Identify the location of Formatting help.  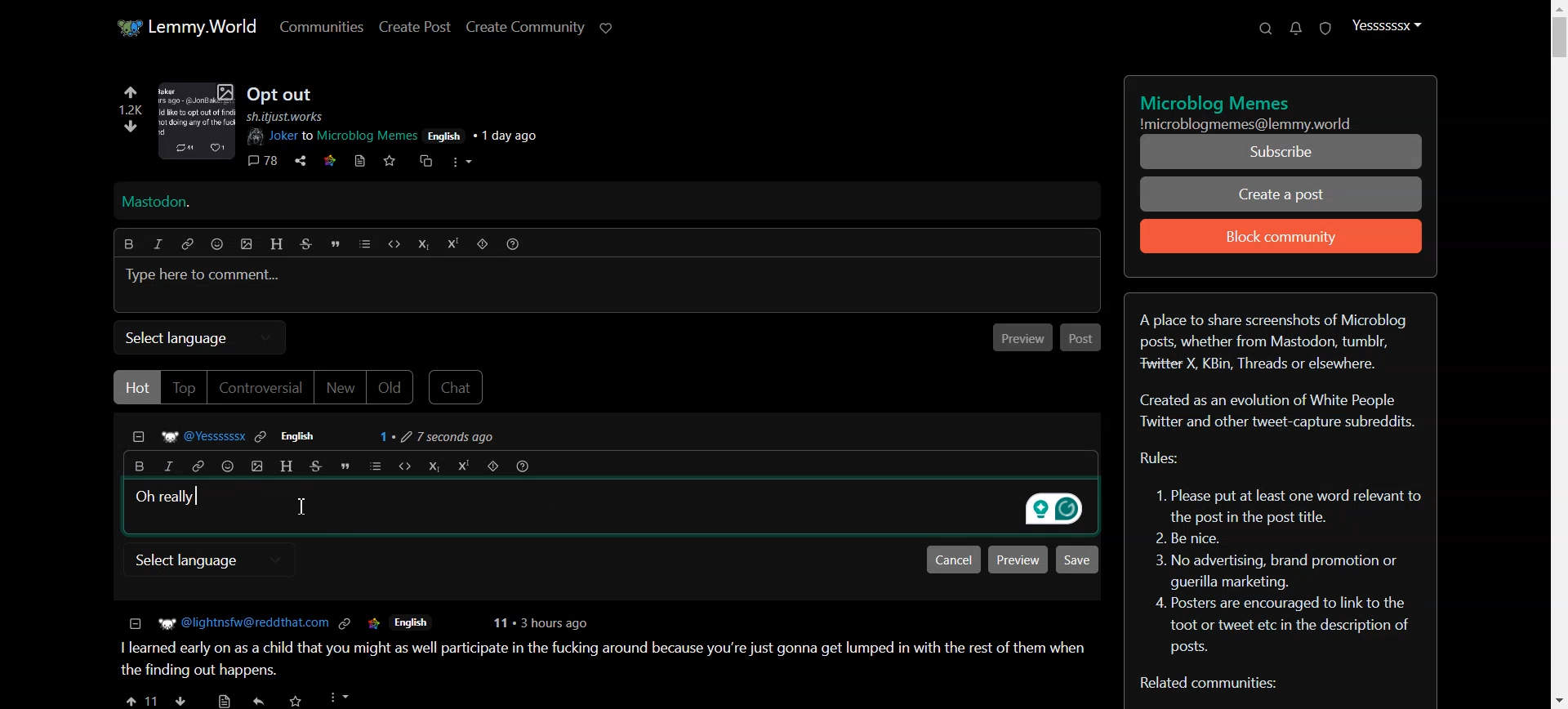
(523, 467).